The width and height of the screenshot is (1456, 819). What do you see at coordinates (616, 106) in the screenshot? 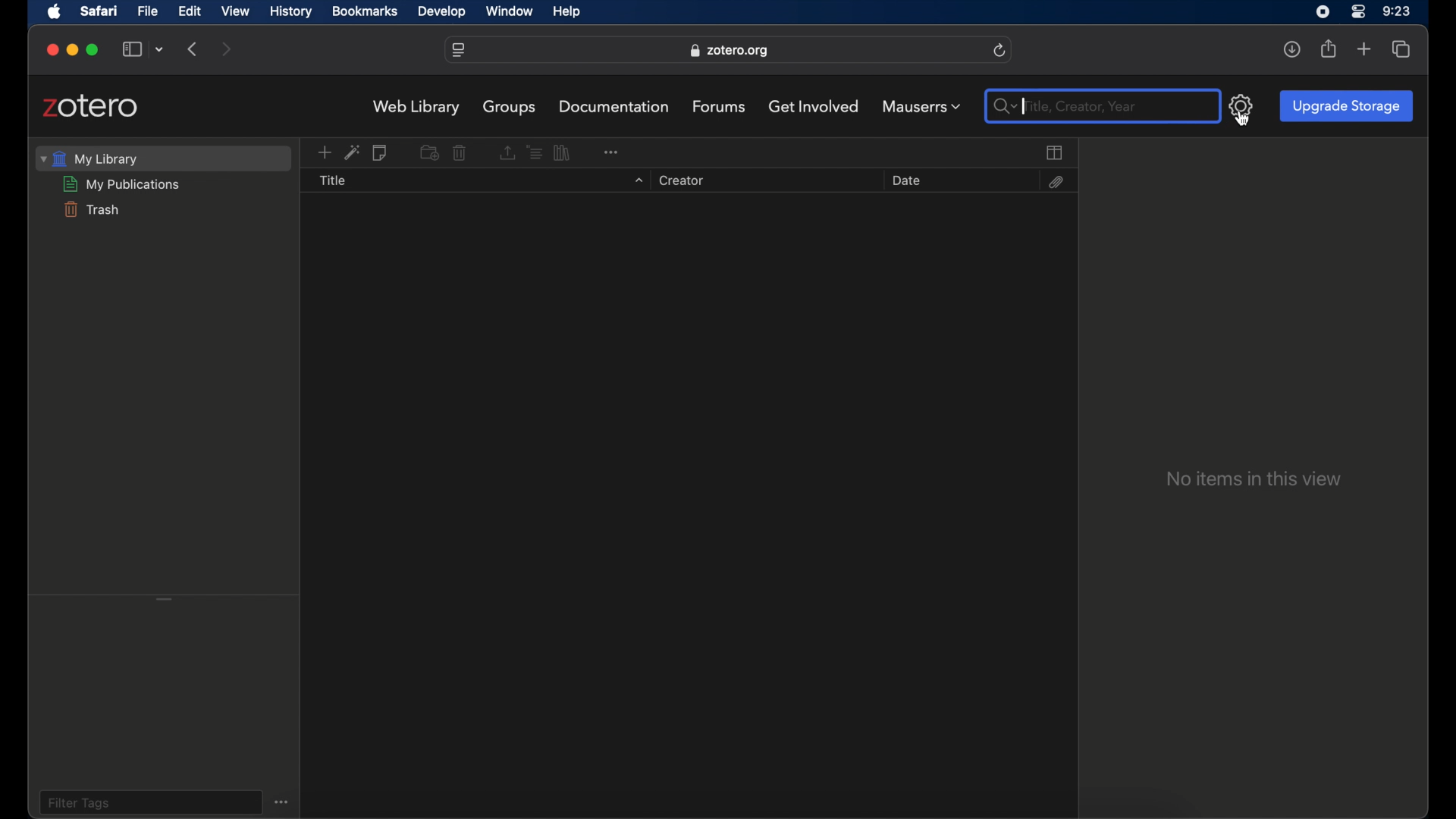
I see `documentation` at bounding box center [616, 106].